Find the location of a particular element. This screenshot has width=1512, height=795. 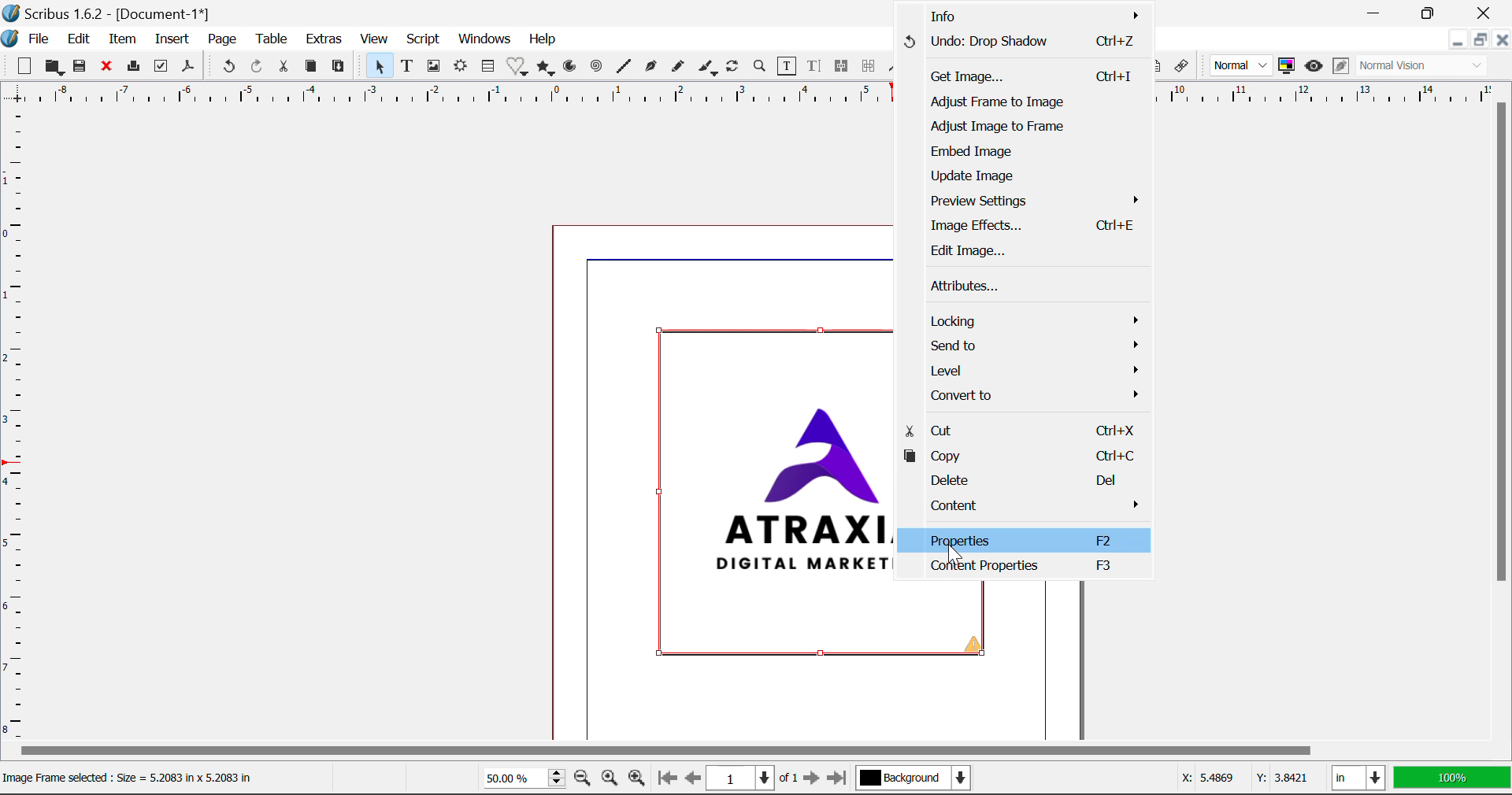

Adjust Image to Frame is located at coordinates (1017, 129).